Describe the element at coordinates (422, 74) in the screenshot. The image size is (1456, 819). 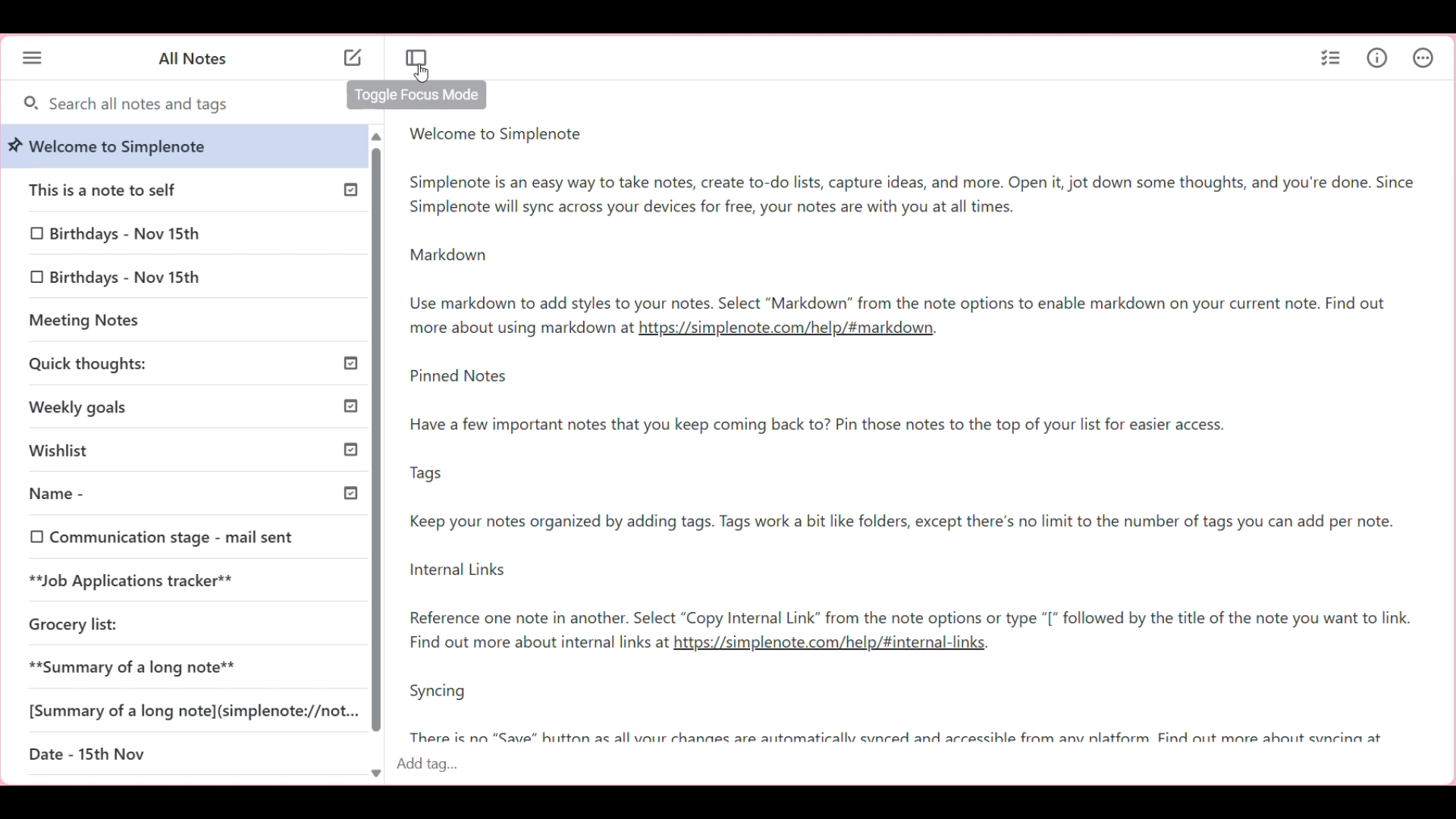
I see `Cursor clicking on Toggle focus mode` at that location.